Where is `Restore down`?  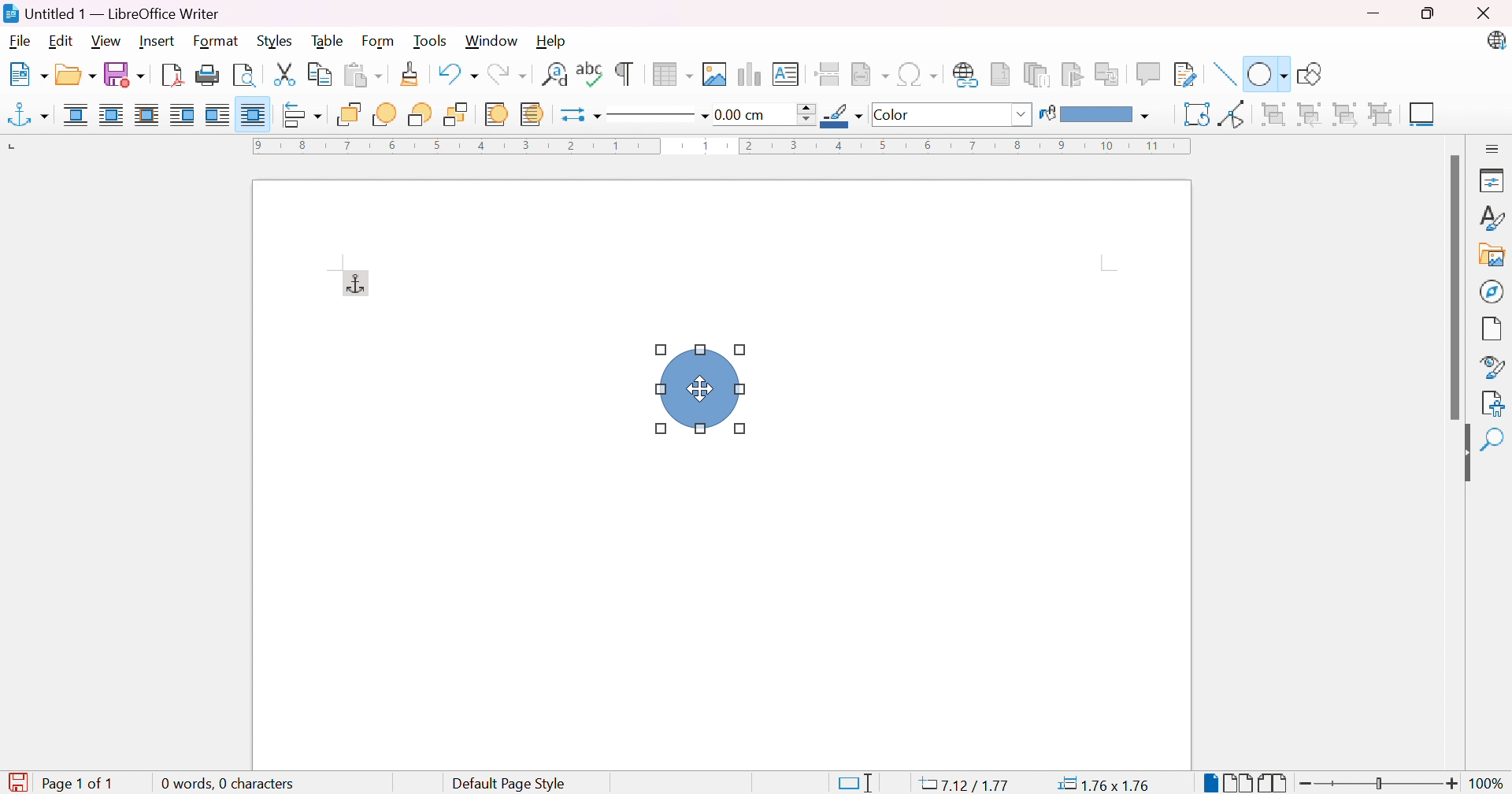 Restore down is located at coordinates (1427, 15).